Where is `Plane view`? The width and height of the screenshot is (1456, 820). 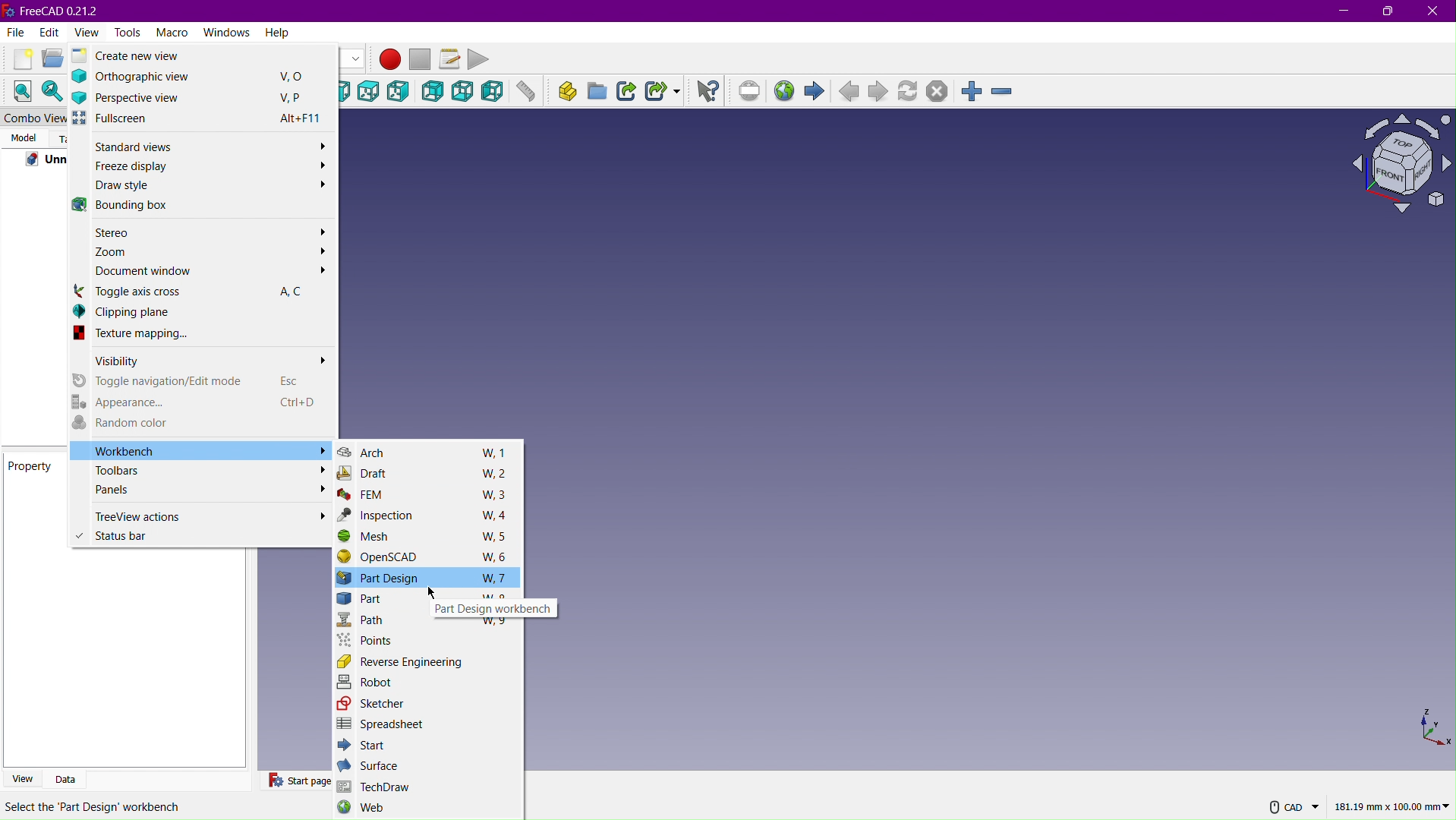
Plane view is located at coordinates (1391, 163).